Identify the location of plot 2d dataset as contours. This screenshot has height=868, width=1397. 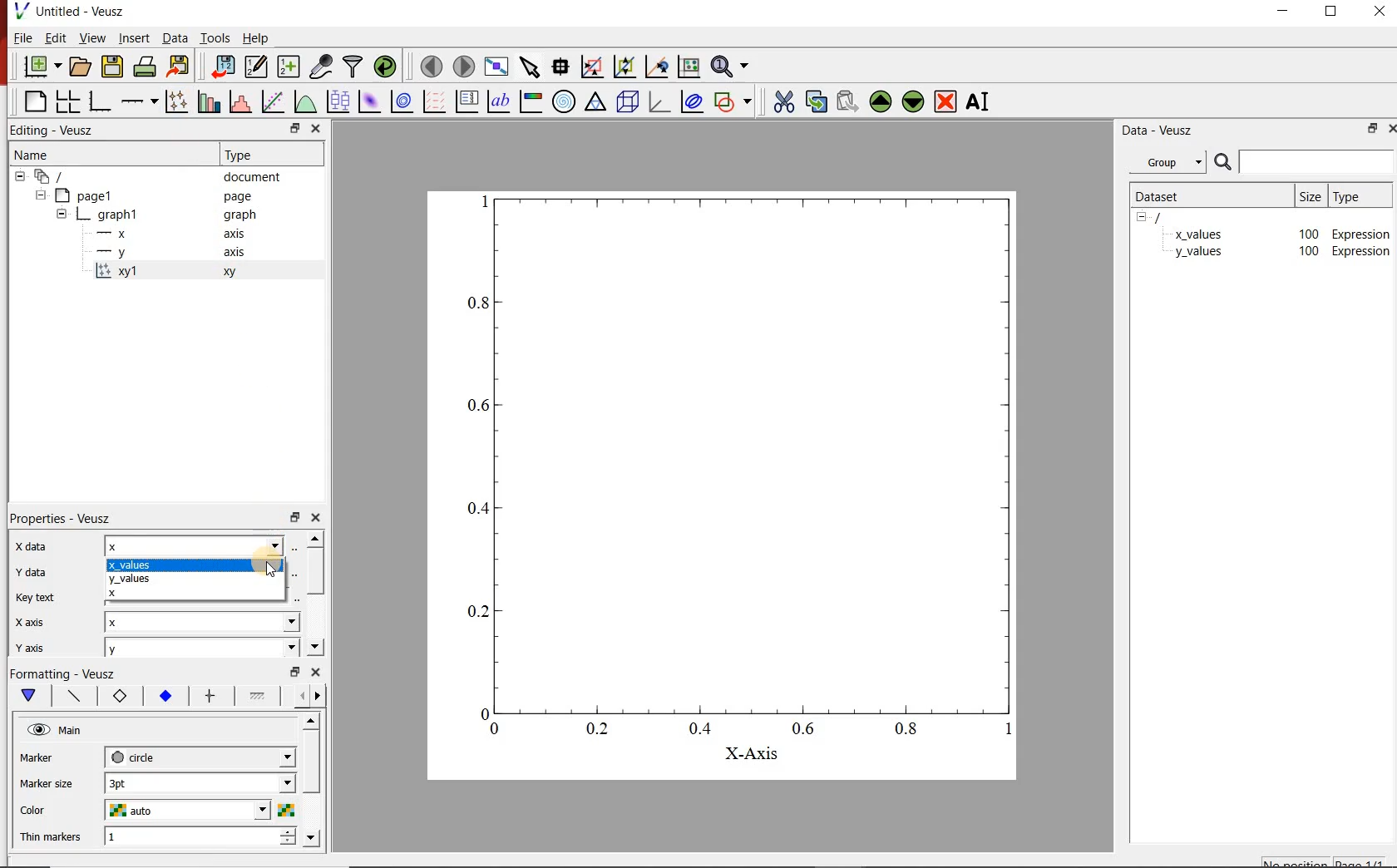
(403, 101).